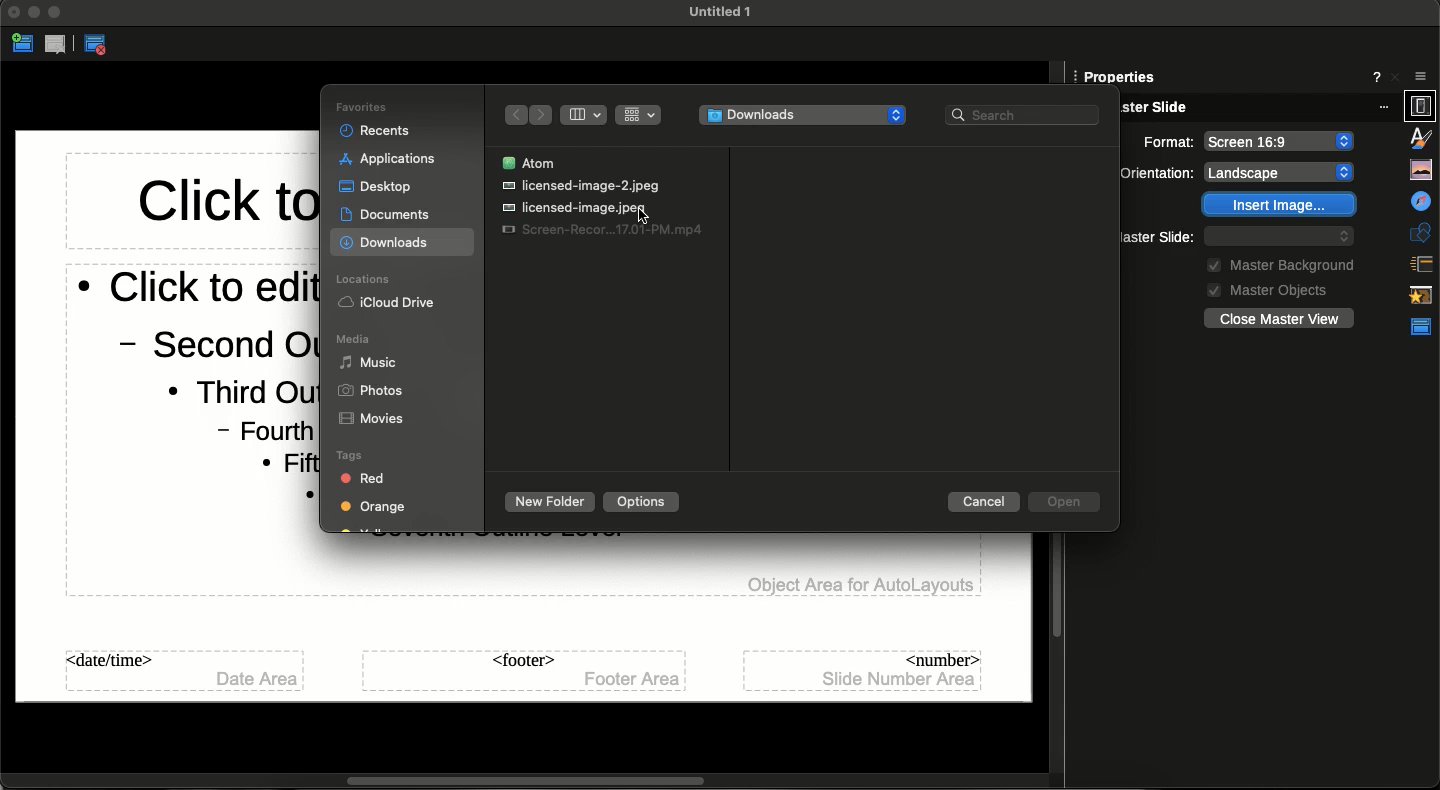  Describe the element at coordinates (1380, 75) in the screenshot. I see `More options` at that location.